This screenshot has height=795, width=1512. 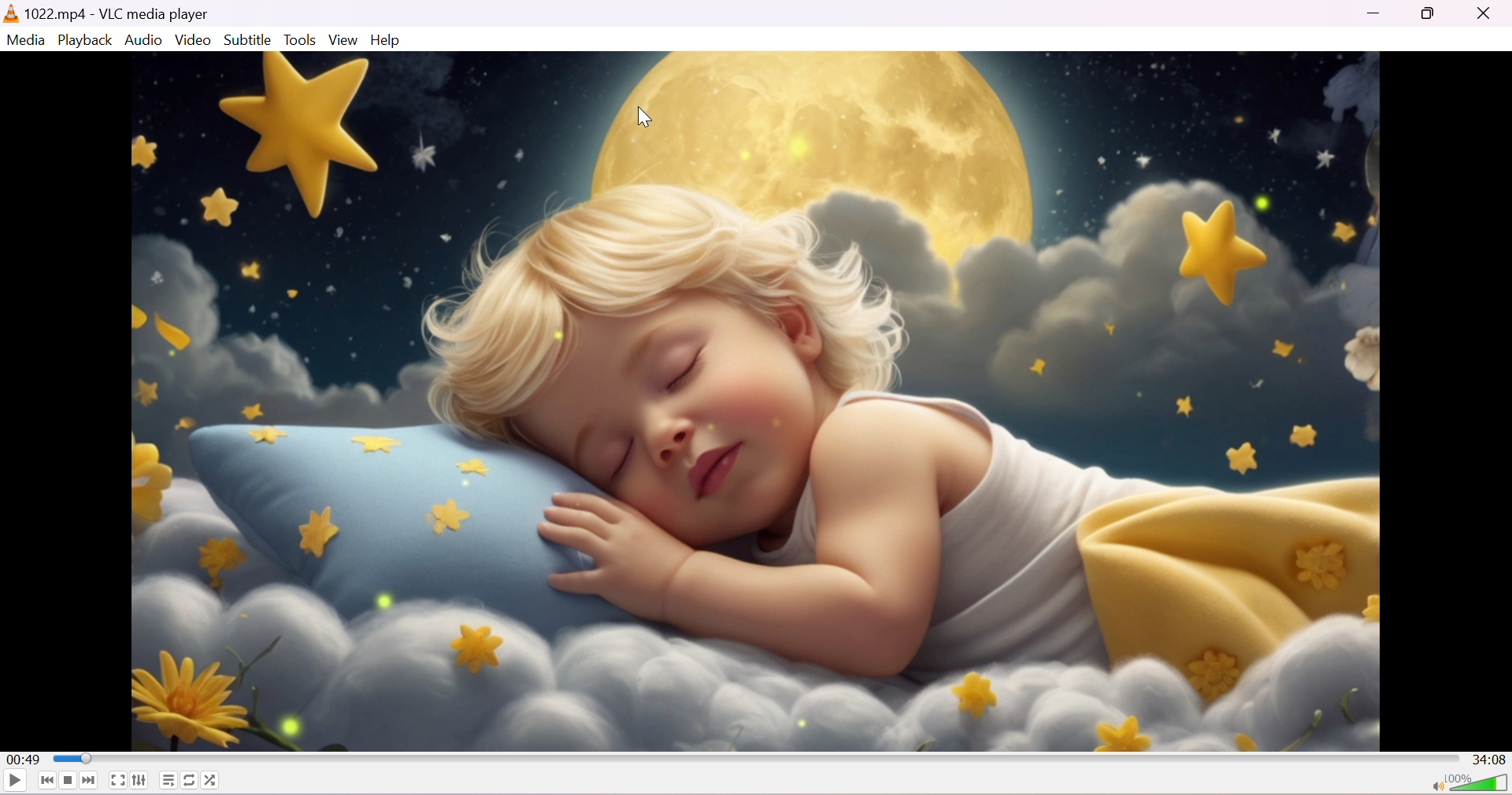 I want to click on Volume, so click(x=1480, y=783).